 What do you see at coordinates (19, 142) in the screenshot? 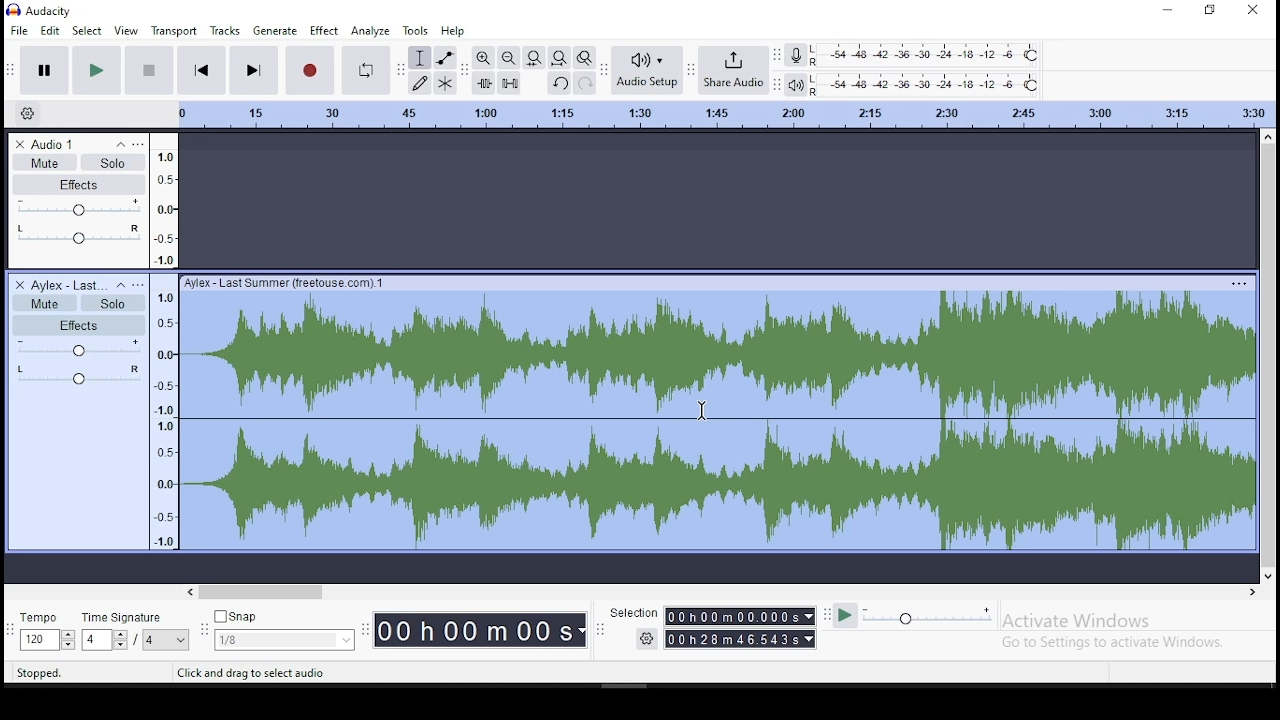
I see `delete track` at bounding box center [19, 142].